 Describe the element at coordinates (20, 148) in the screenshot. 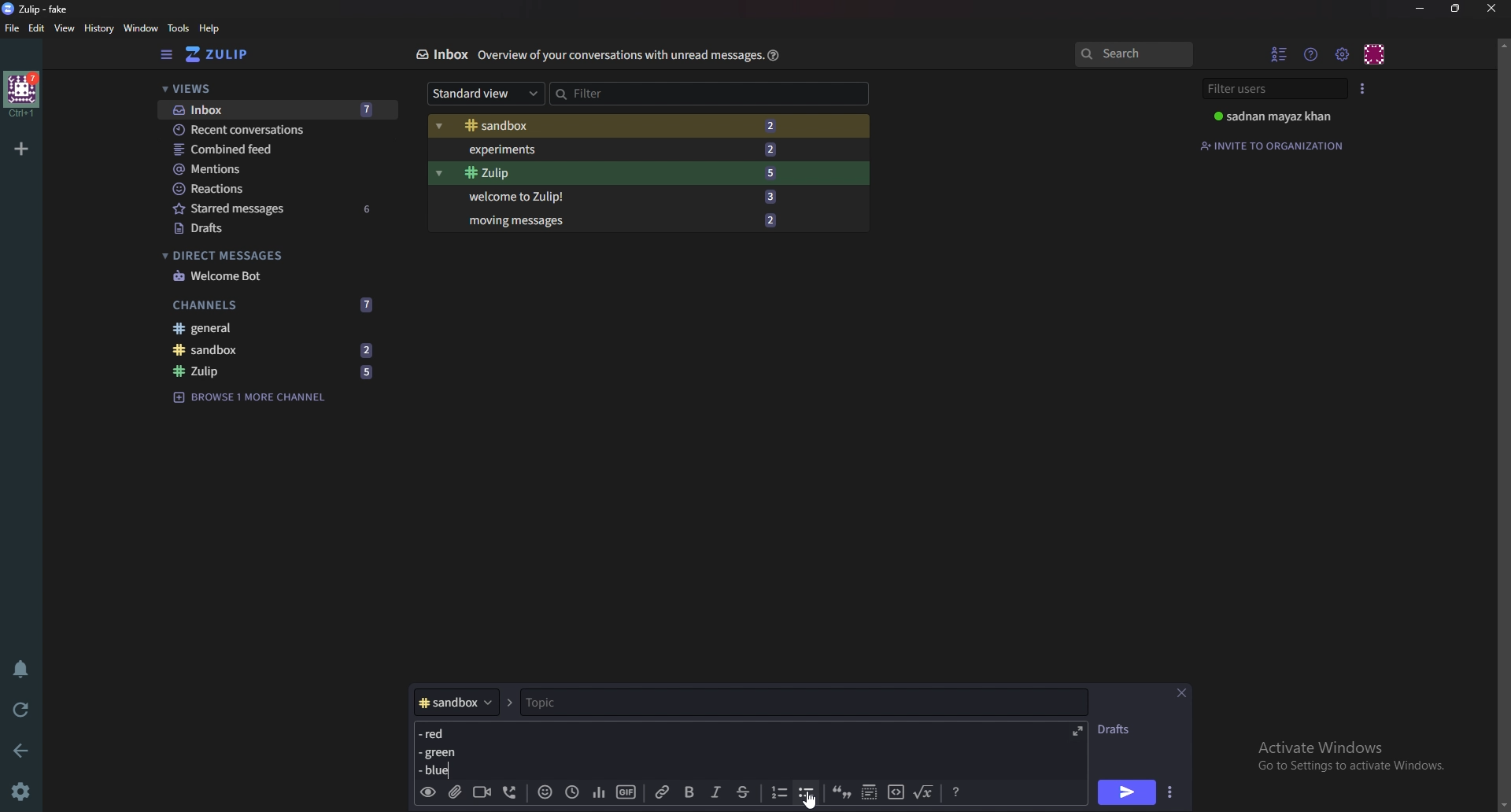

I see `Add organization` at that location.